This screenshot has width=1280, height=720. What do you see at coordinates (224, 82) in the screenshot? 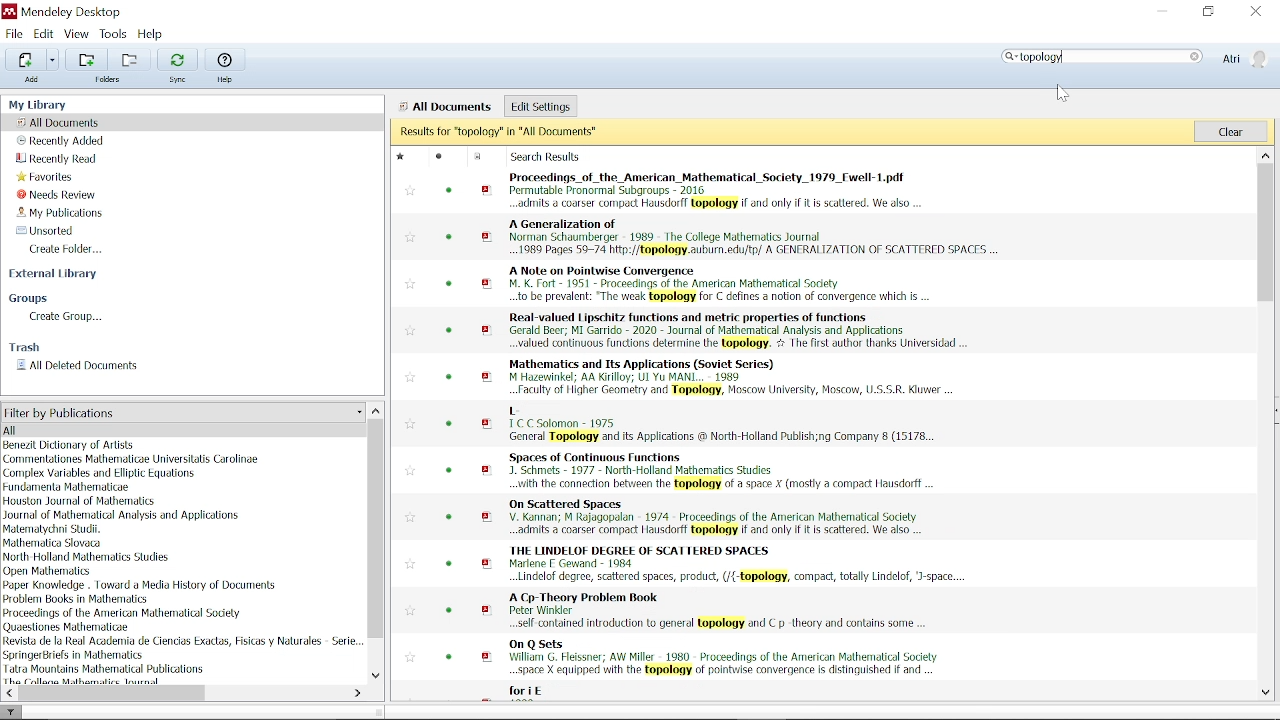
I see `help` at bounding box center [224, 82].